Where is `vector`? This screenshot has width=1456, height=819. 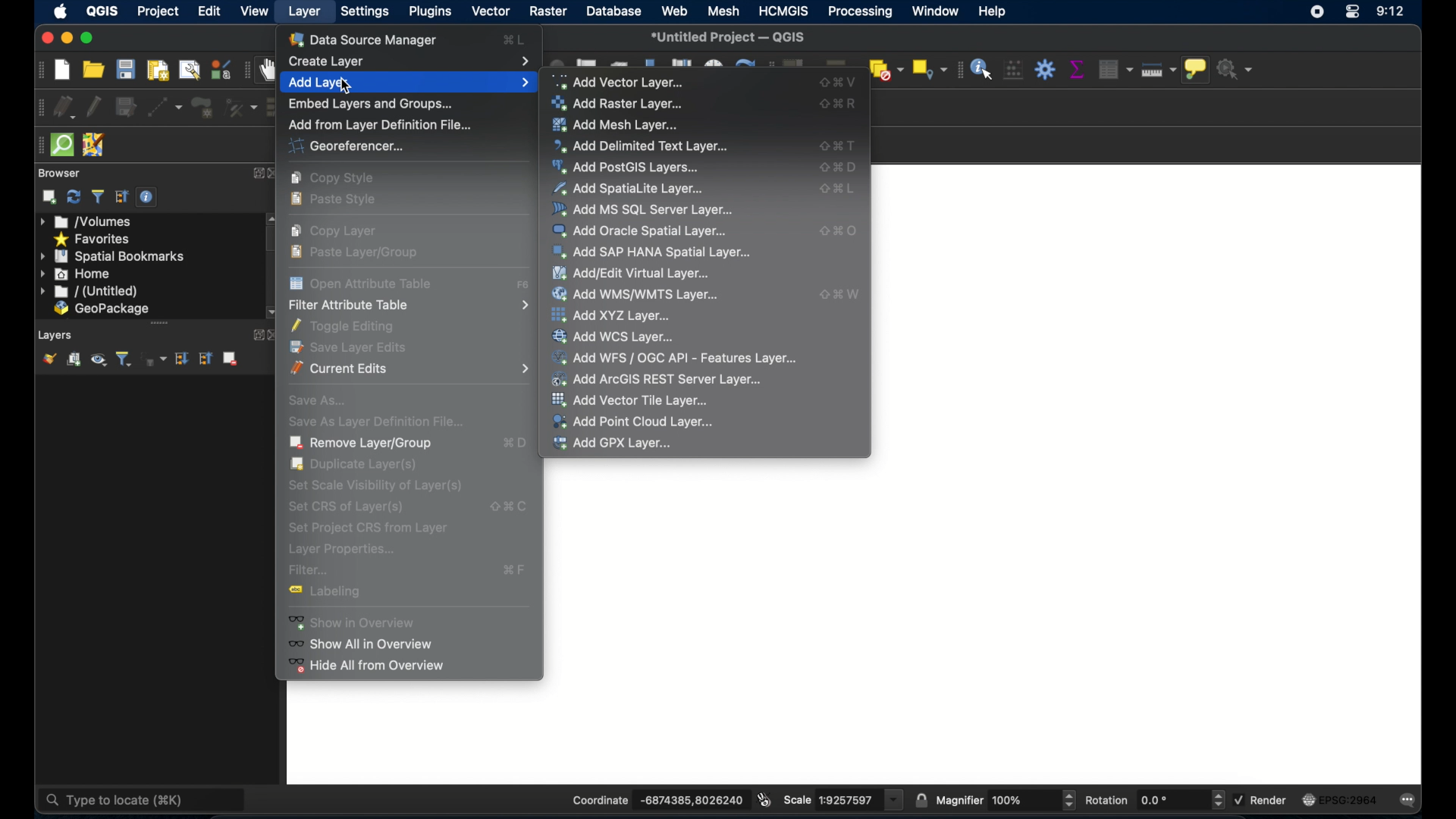
vector is located at coordinates (490, 11).